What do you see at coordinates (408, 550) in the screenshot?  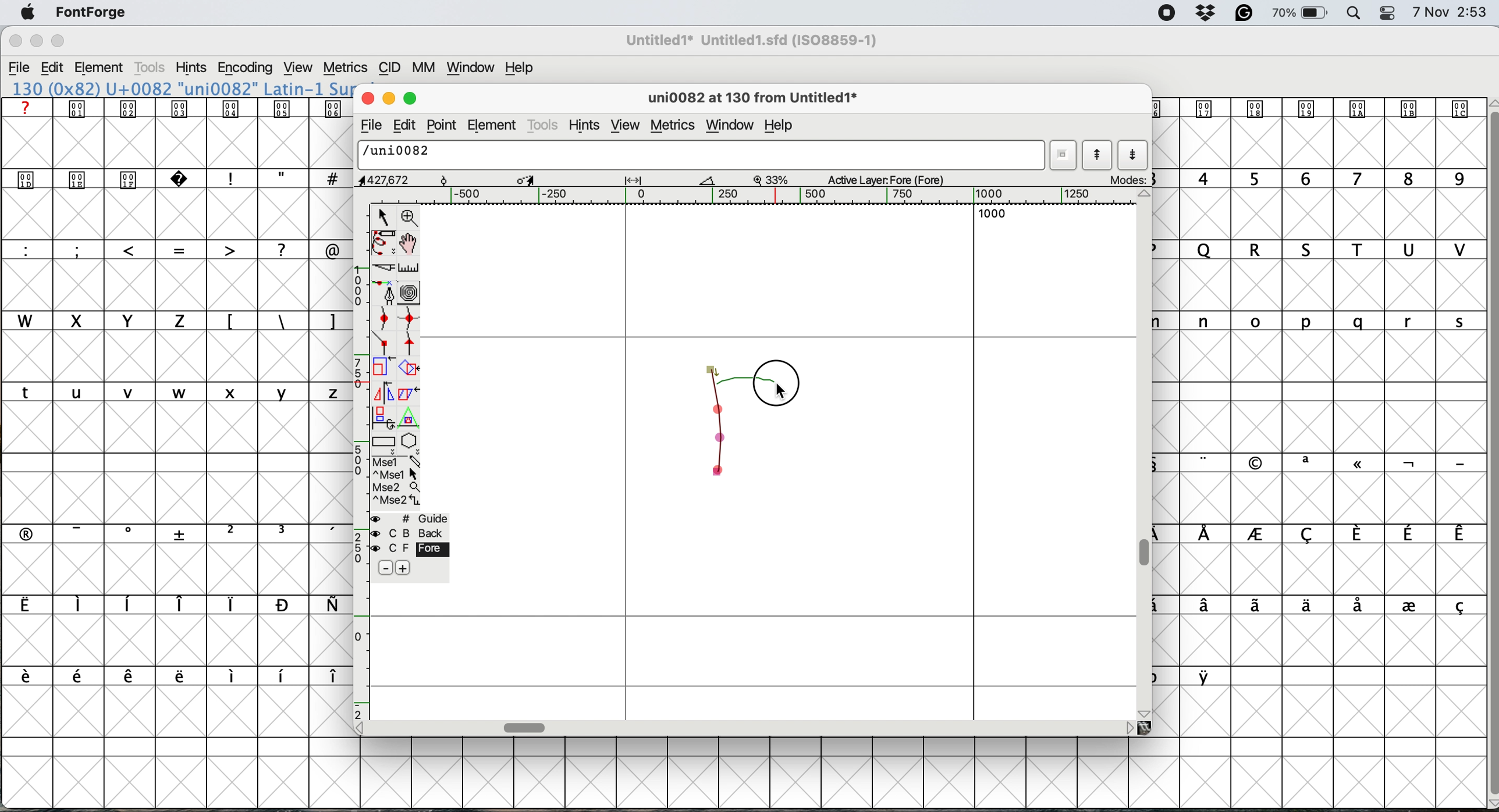 I see `fore` at bounding box center [408, 550].